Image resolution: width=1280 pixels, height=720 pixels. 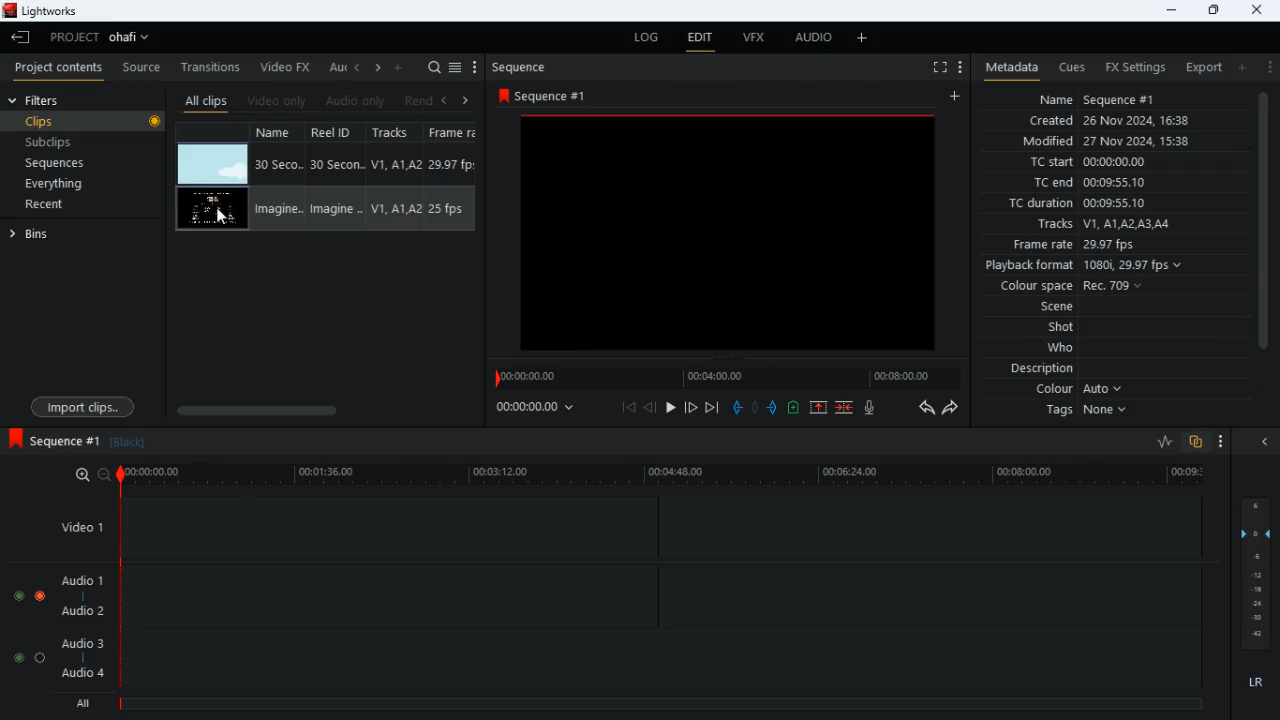 I want to click on audio selection buttons, so click(x=31, y=596).